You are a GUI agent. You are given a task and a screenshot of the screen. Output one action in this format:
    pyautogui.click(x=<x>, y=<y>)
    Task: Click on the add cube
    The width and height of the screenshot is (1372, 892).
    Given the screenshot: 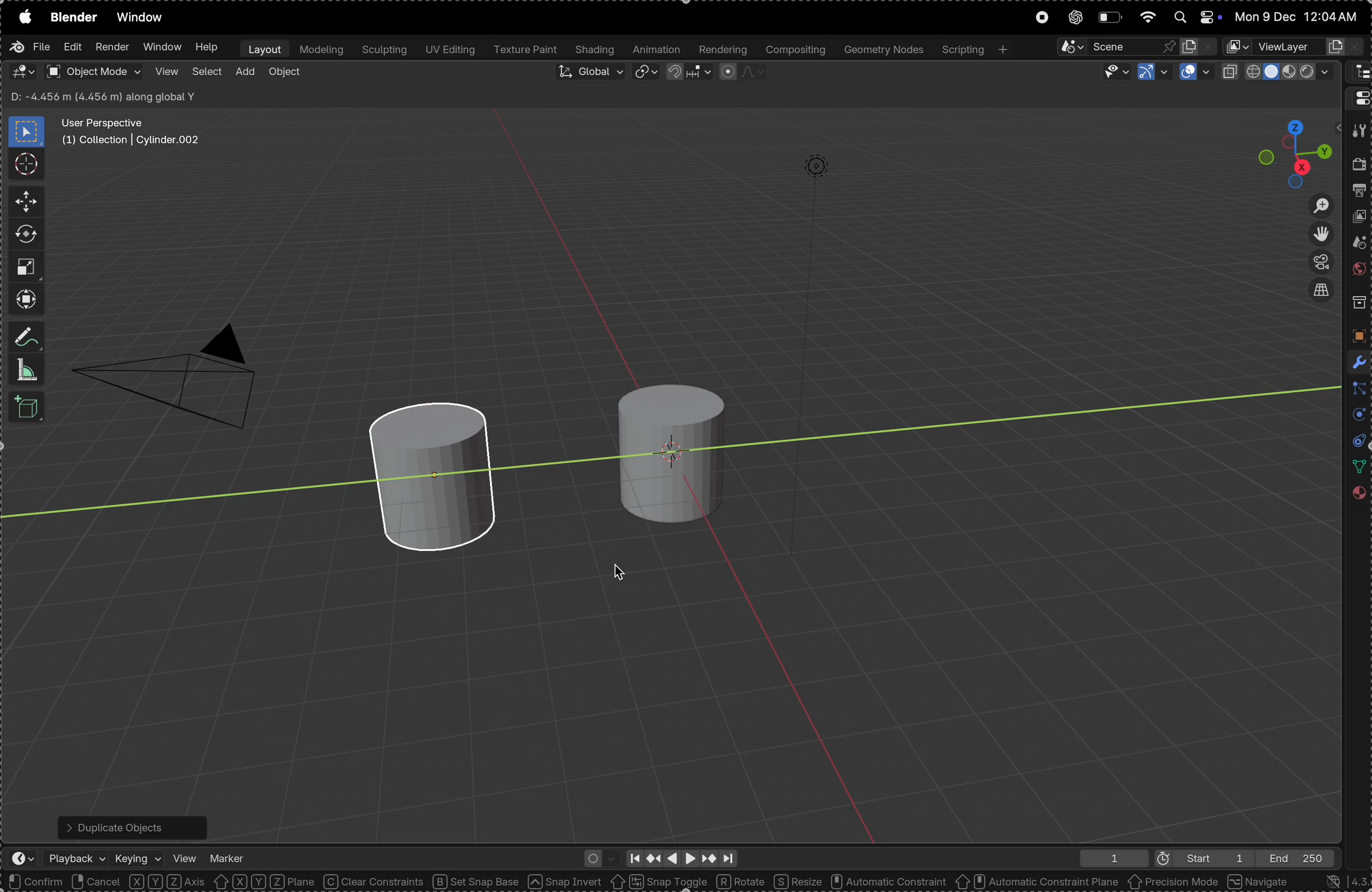 What is the action you would take?
    pyautogui.click(x=29, y=409)
    